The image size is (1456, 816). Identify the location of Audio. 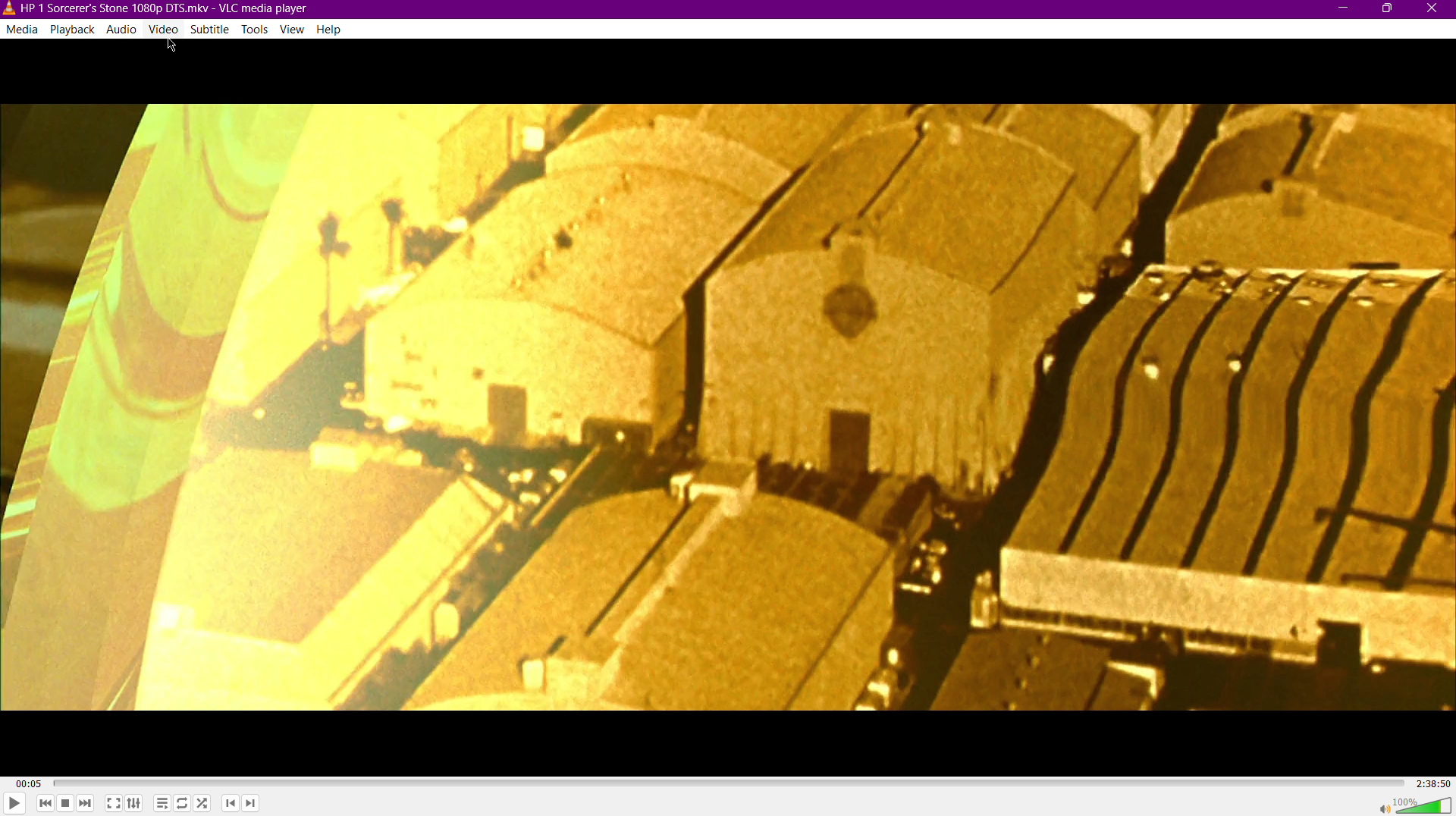
(121, 29).